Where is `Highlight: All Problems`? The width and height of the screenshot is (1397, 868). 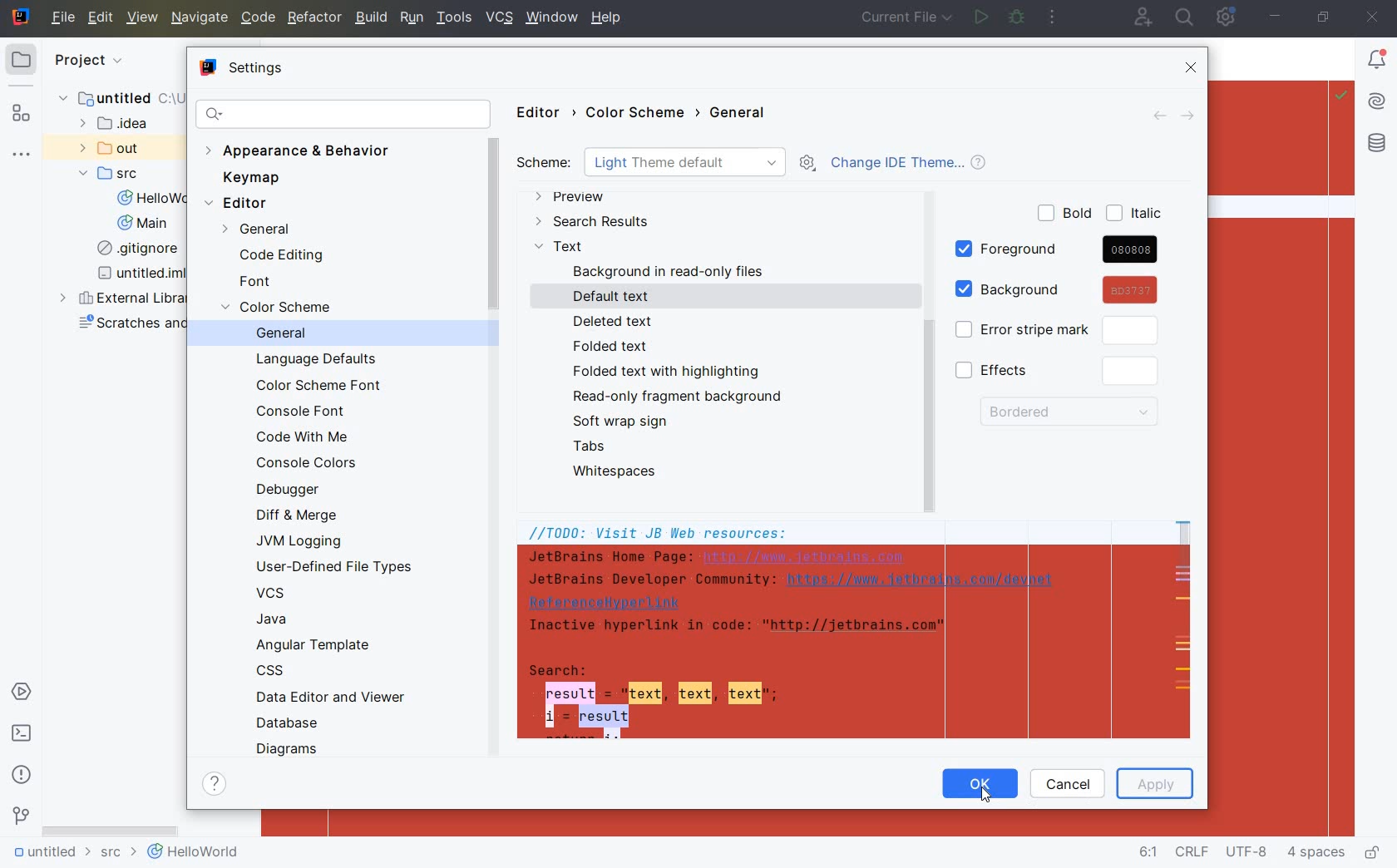
Highlight: All Problems is located at coordinates (1341, 97).